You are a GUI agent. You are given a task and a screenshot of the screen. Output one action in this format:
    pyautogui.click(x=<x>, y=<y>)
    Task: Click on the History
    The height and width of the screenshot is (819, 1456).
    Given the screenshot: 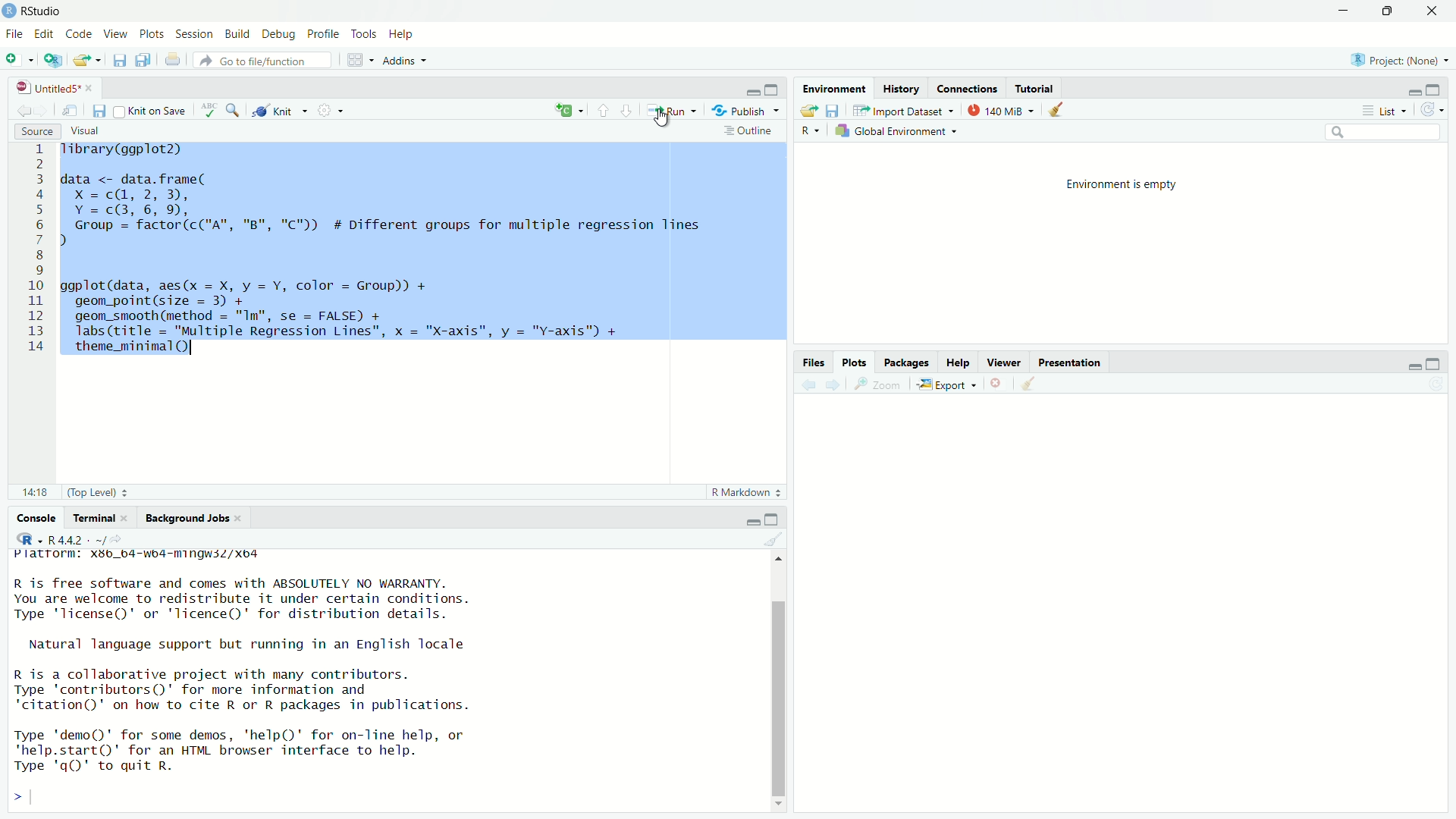 What is the action you would take?
    pyautogui.click(x=900, y=90)
    